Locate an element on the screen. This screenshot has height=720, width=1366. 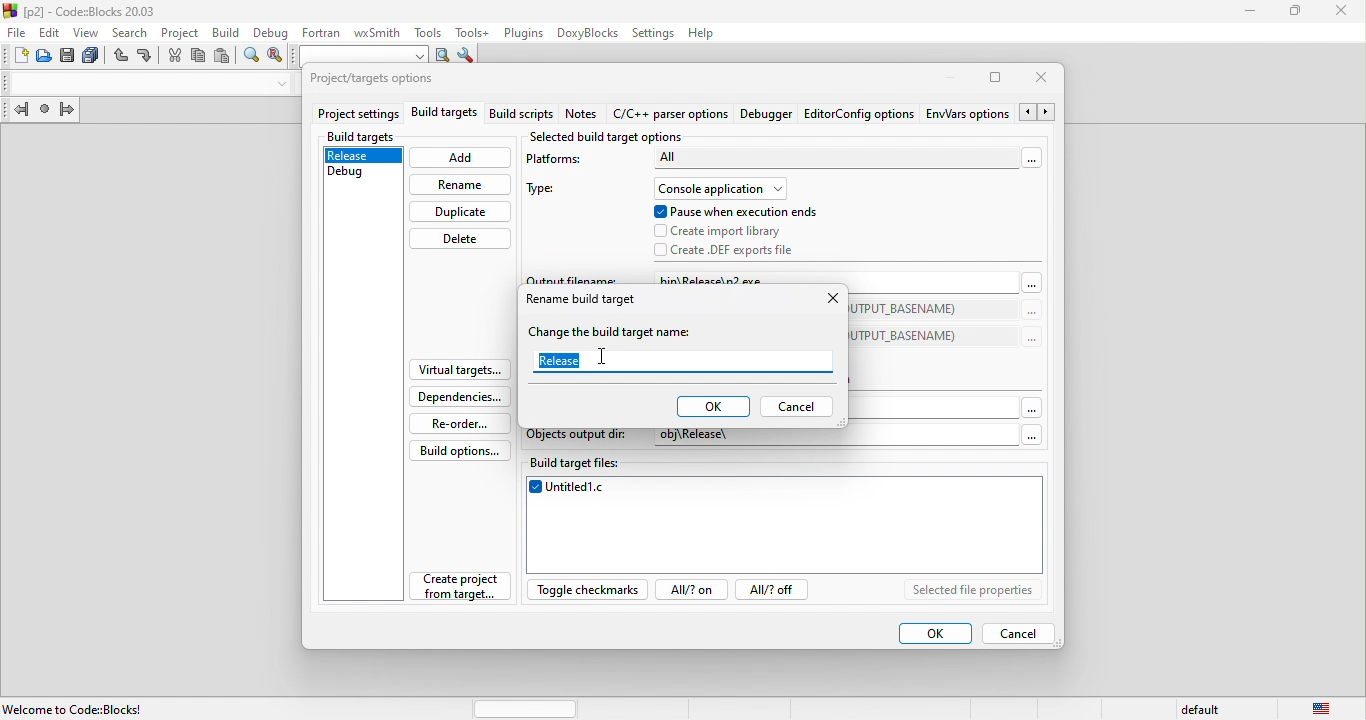
tools is located at coordinates (425, 31).